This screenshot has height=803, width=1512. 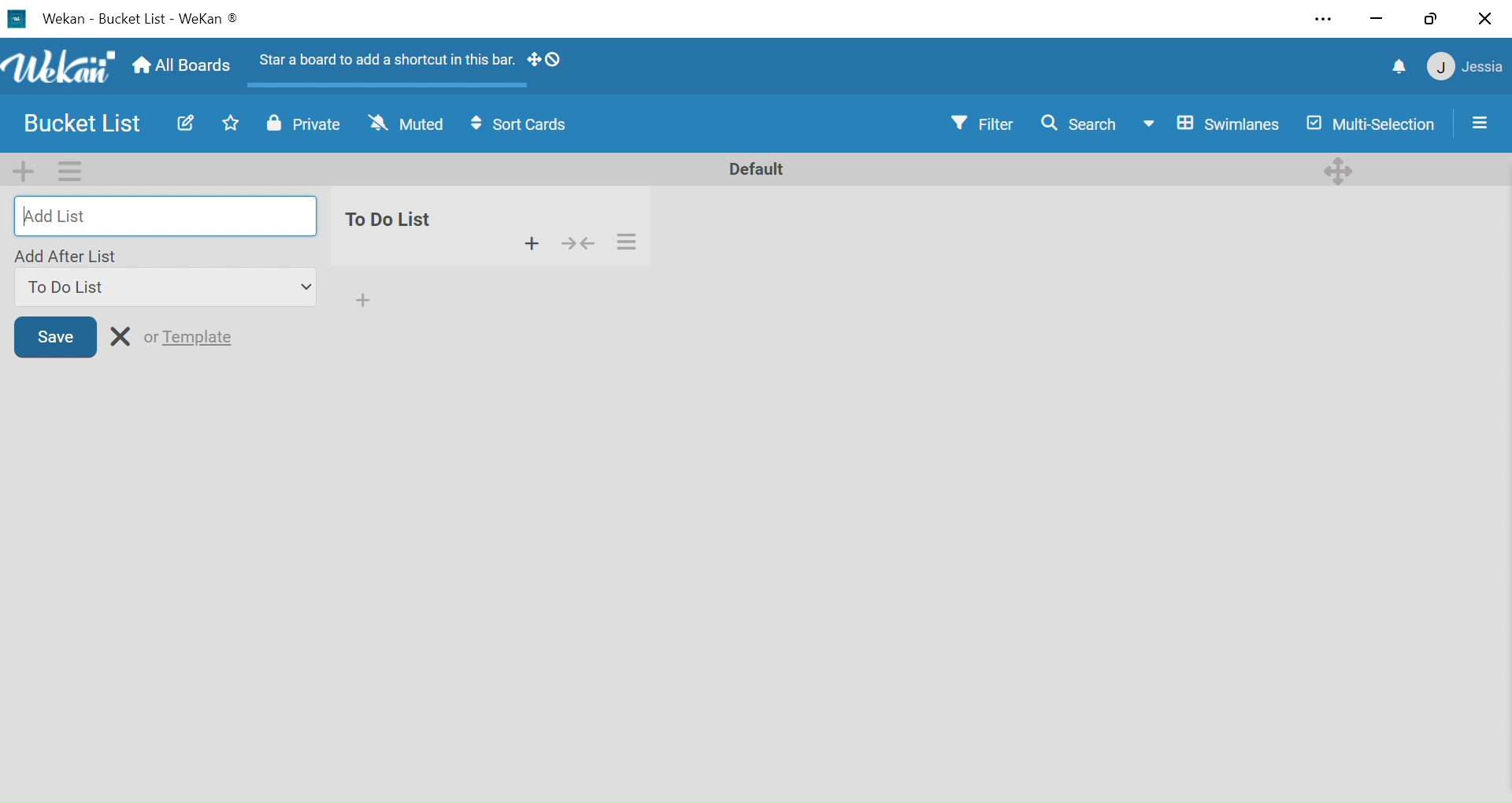 What do you see at coordinates (162, 216) in the screenshot?
I see `Add List name Field` at bounding box center [162, 216].